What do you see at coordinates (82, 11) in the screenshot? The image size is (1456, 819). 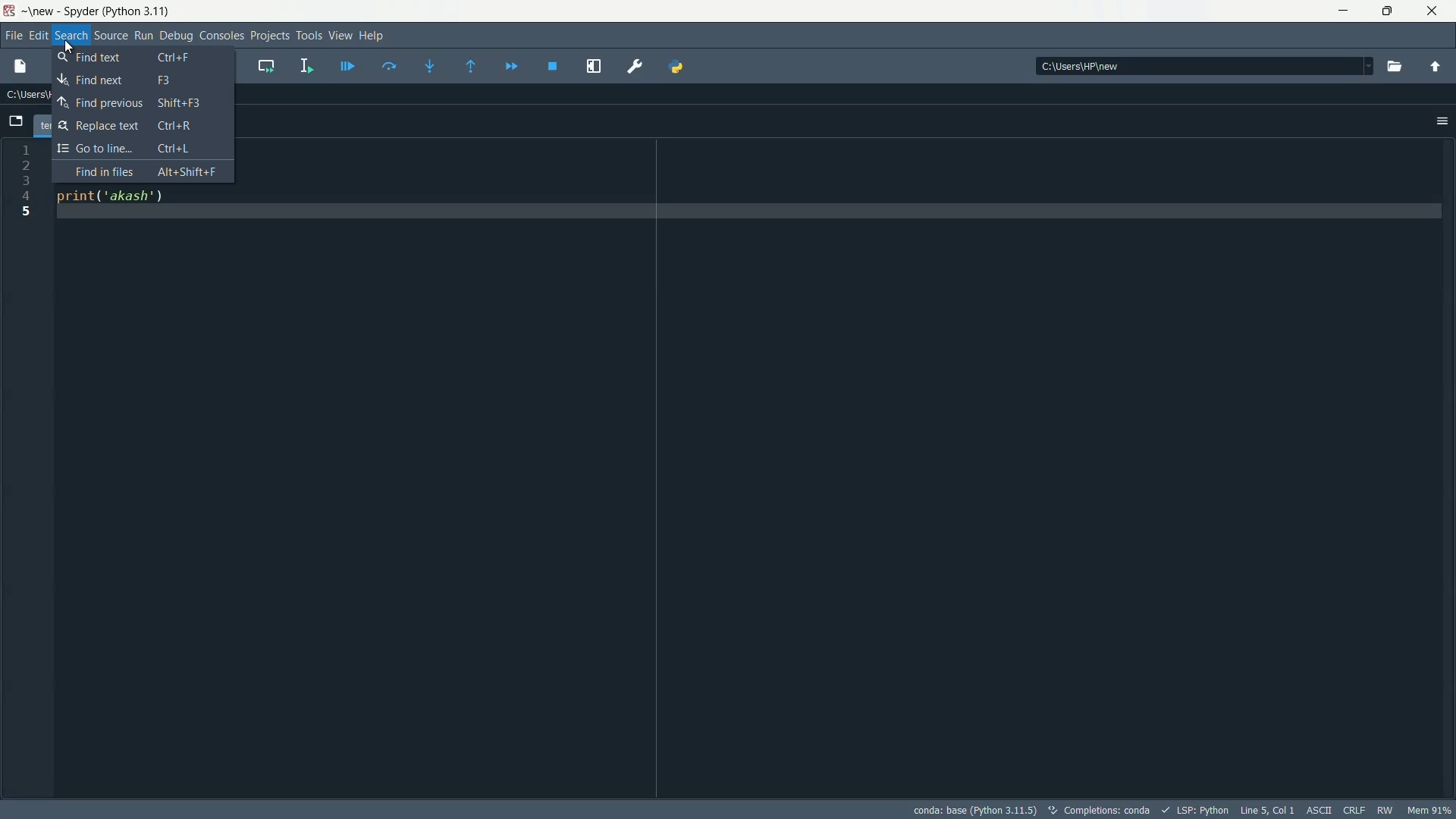 I see `Spyder ` at bounding box center [82, 11].